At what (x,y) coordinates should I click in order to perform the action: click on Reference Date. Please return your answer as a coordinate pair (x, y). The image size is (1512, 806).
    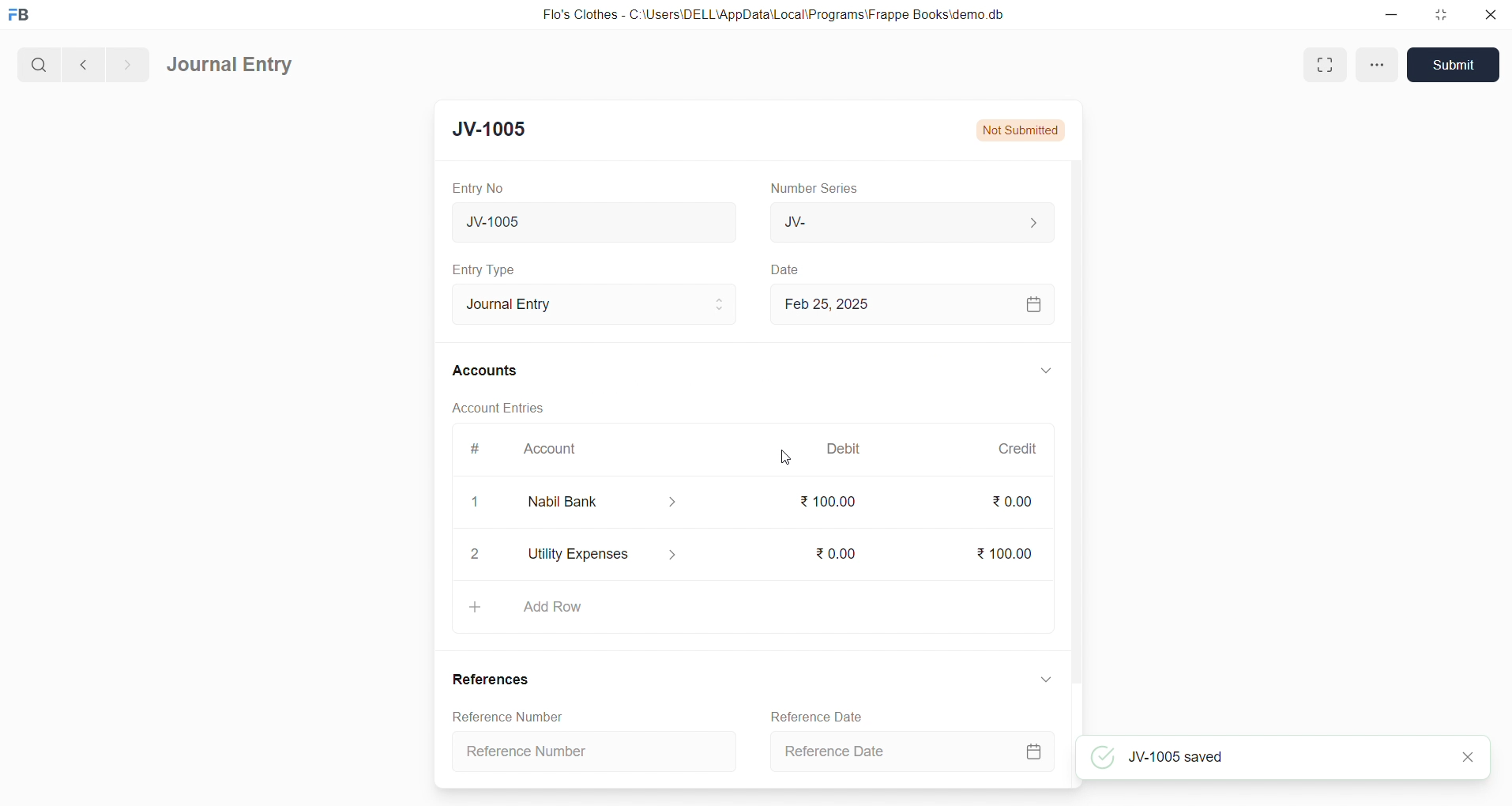
    Looking at the image, I should click on (813, 715).